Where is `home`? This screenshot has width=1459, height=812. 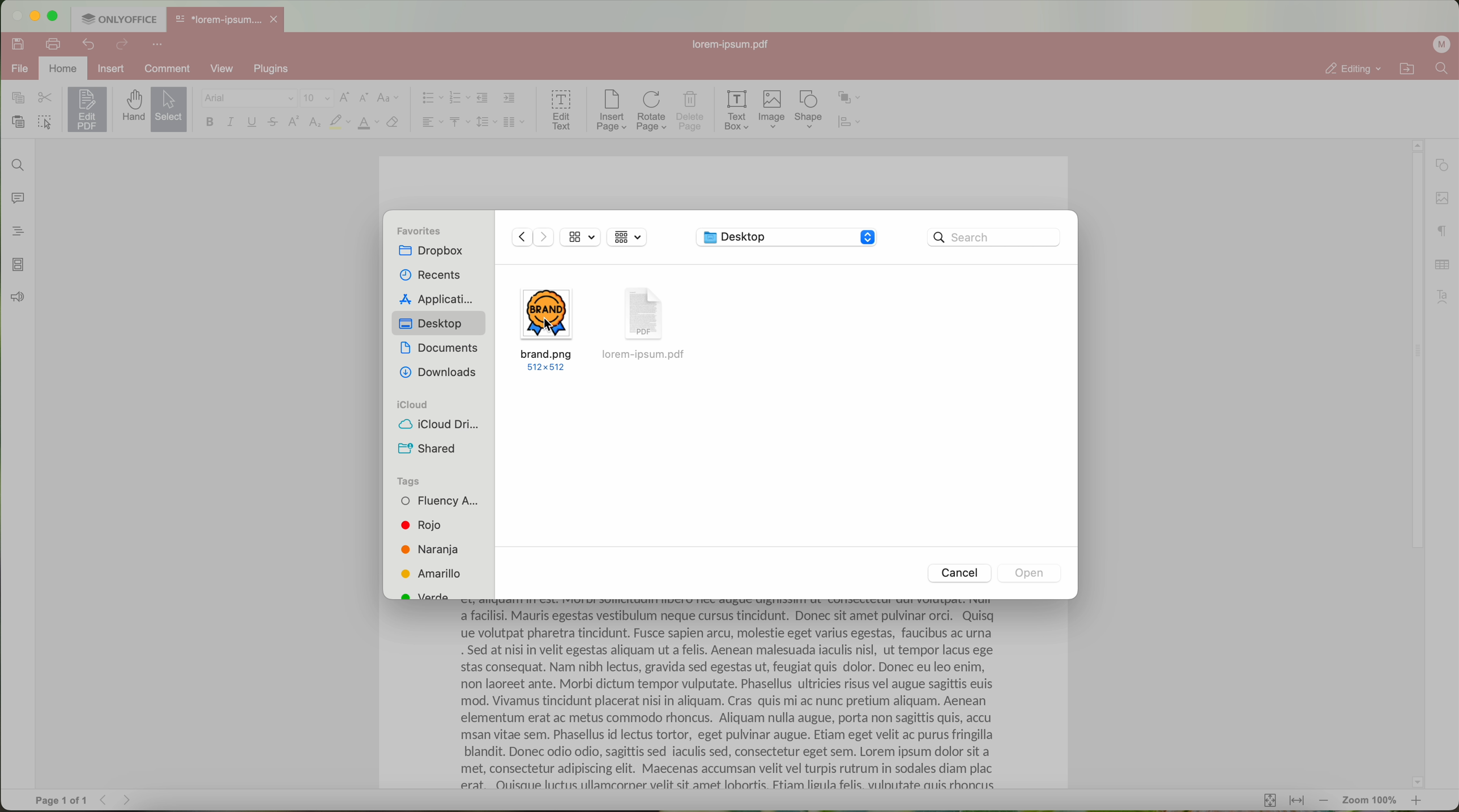
home is located at coordinates (63, 70).